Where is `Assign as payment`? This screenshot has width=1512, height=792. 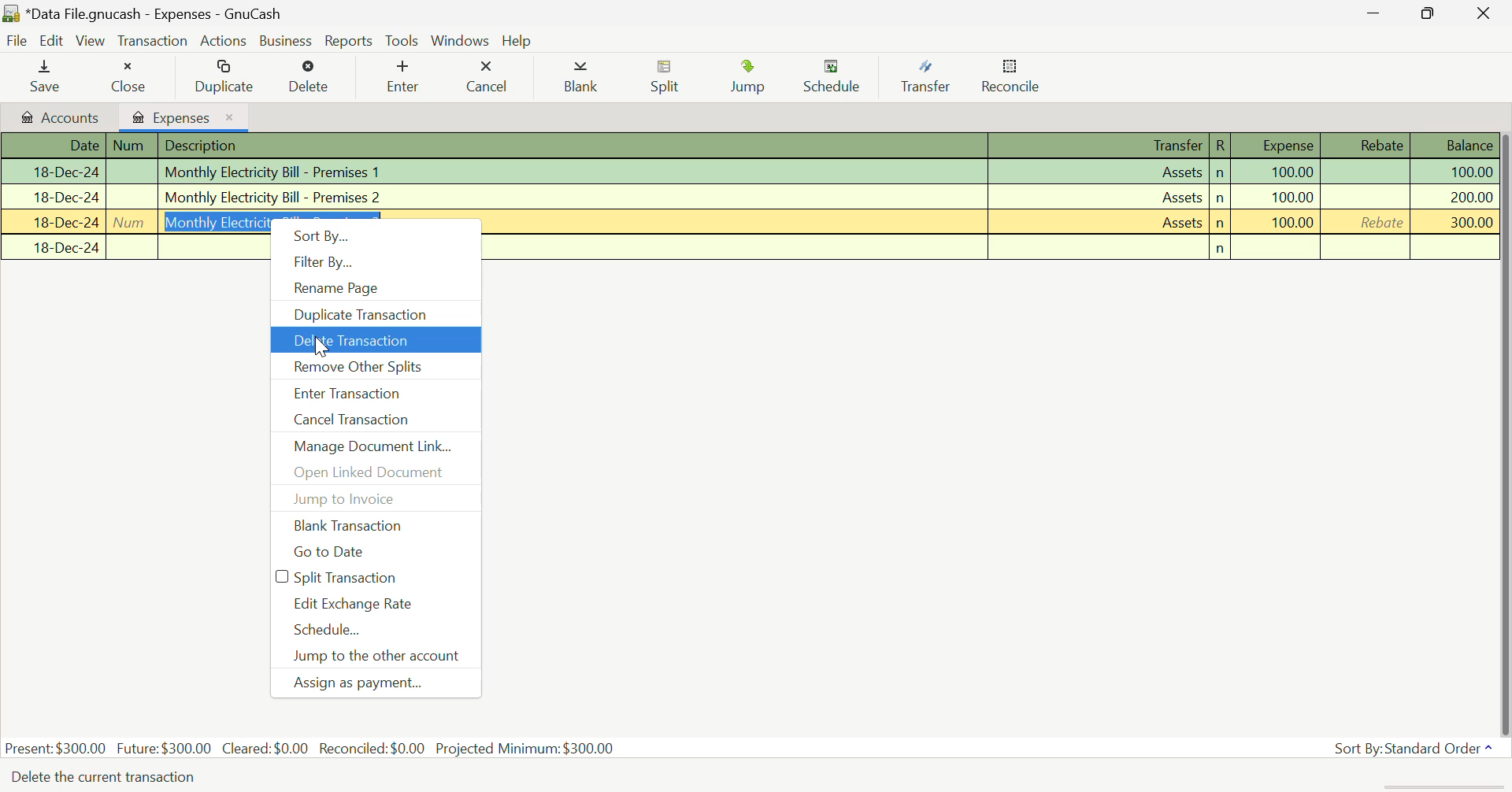 Assign as payment is located at coordinates (374, 684).